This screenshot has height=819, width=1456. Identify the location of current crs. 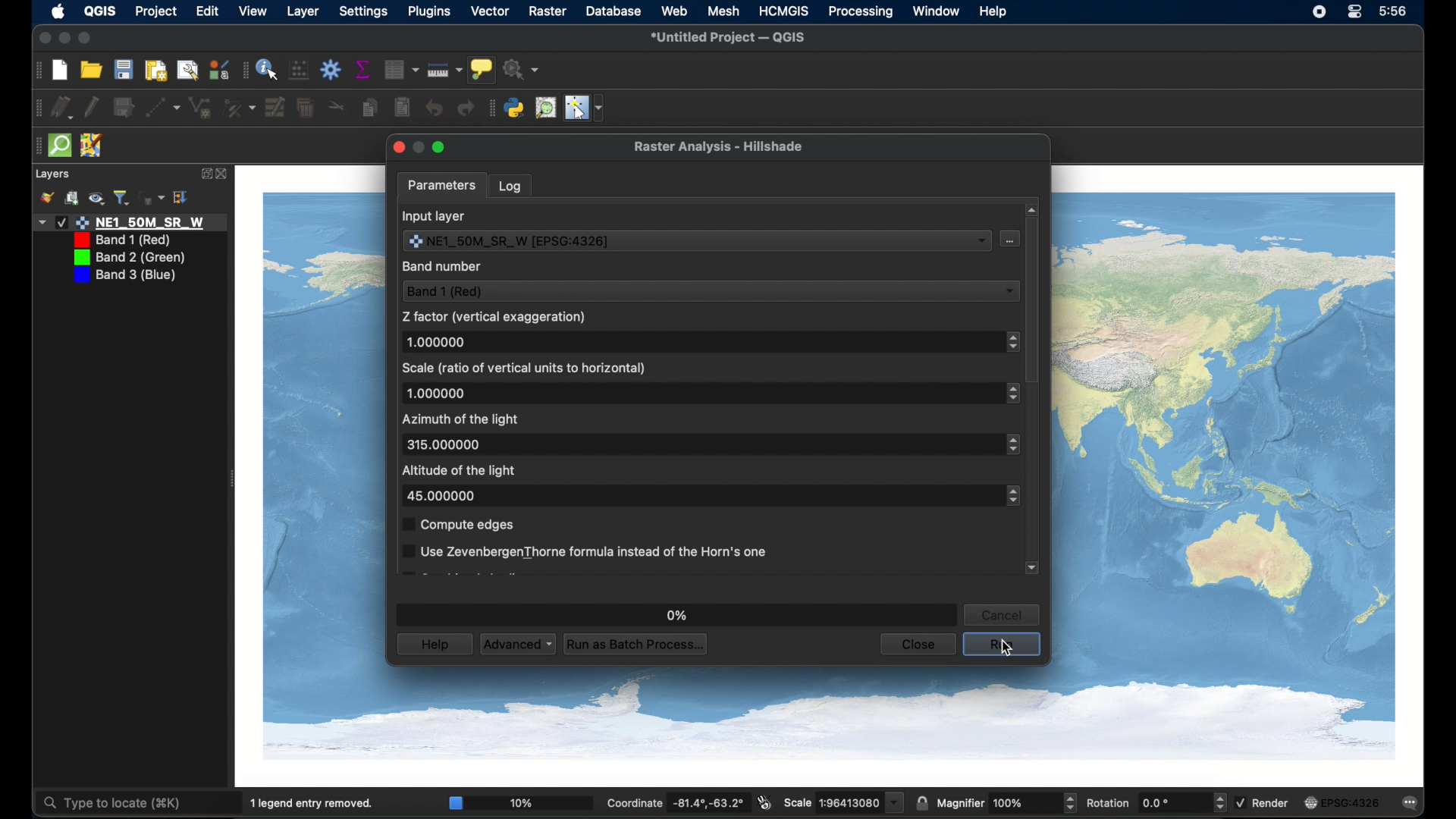
(1344, 803).